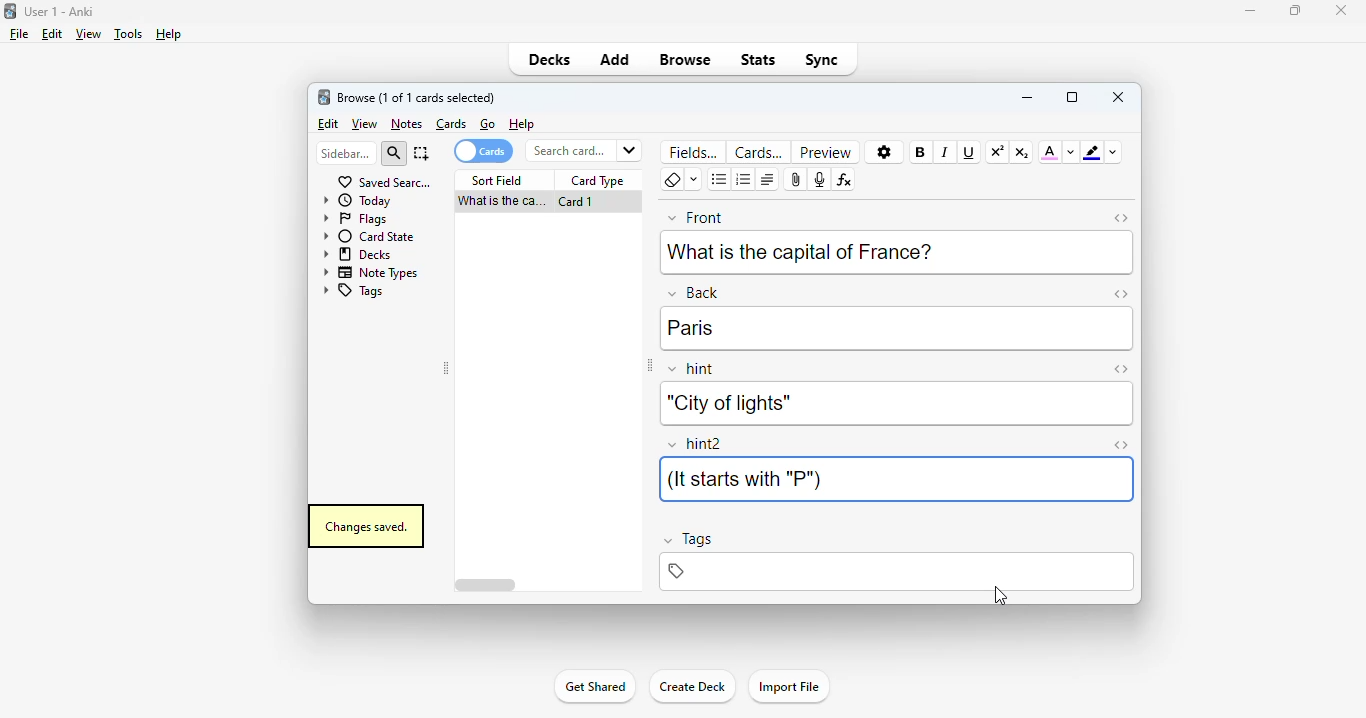  I want to click on tags, so click(352, 292).